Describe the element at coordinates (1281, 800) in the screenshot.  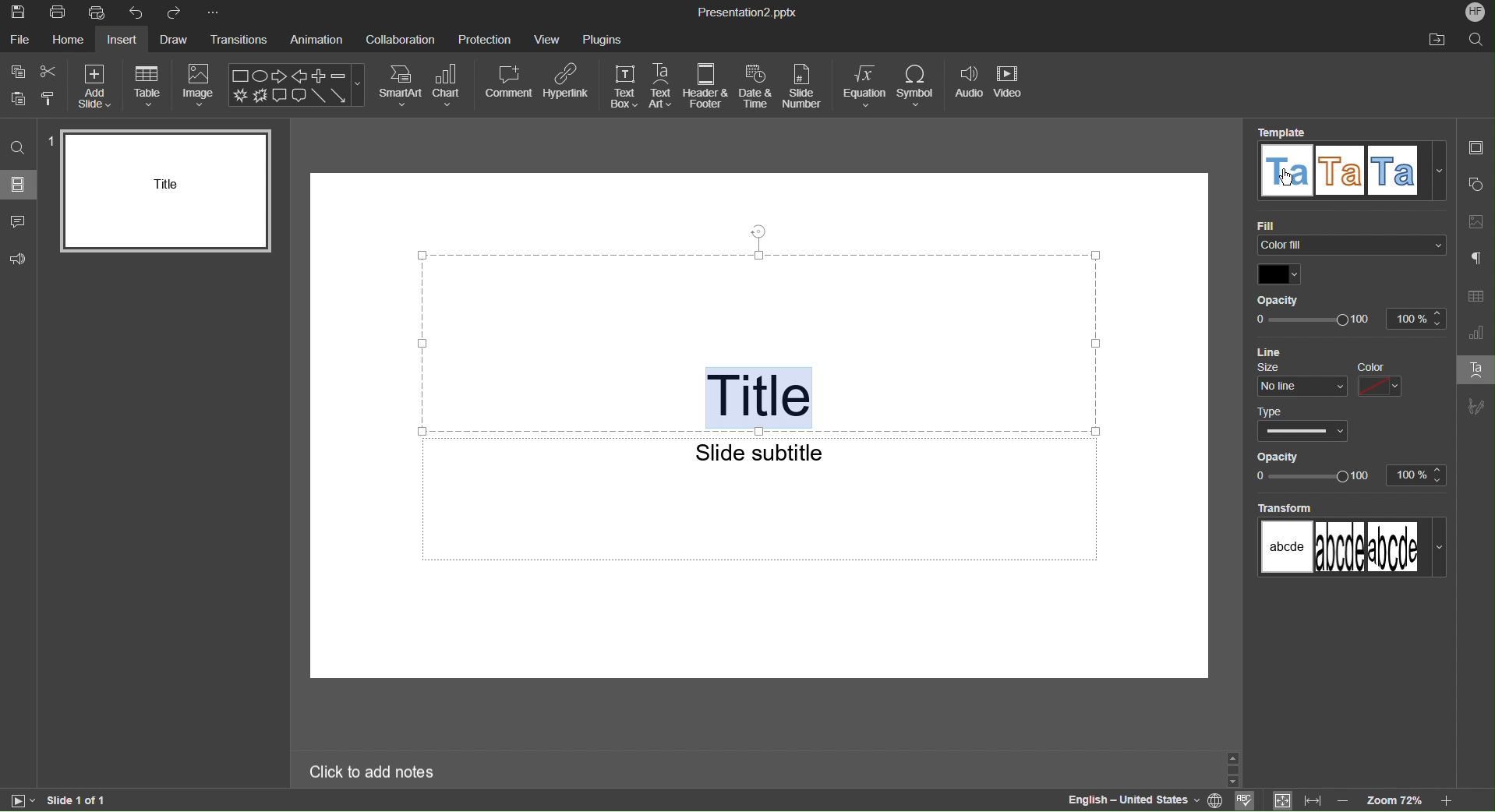
I see `fit to slide` at that location.